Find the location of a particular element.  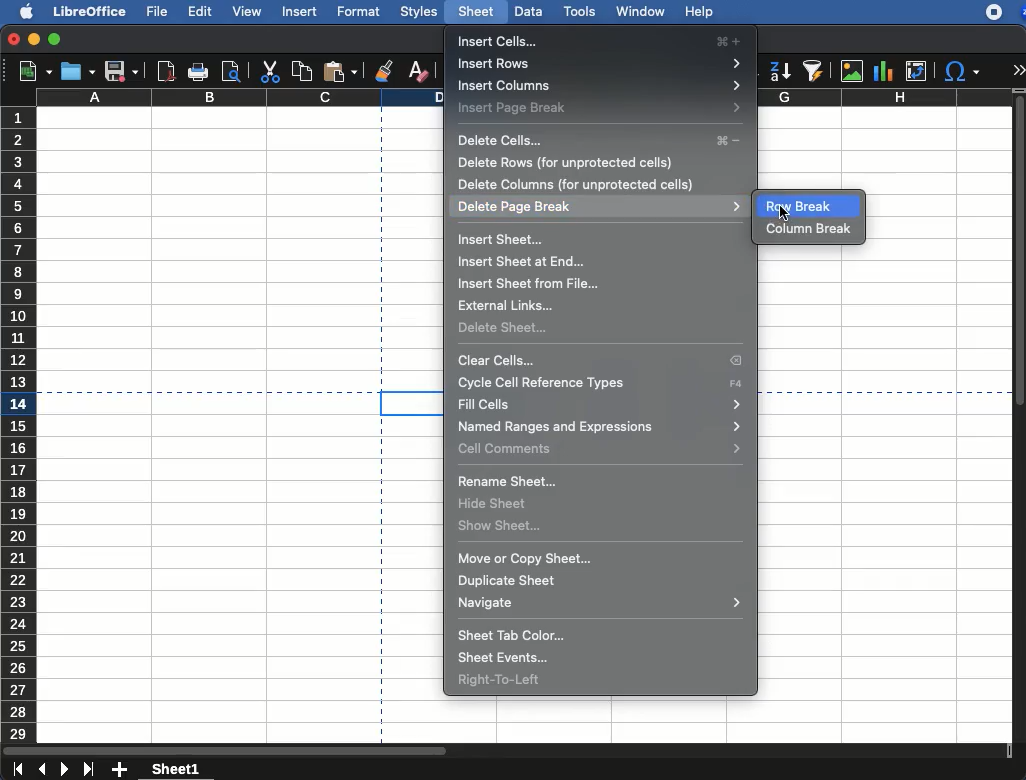

duplicate sheet is located at coordinates (510, 581).